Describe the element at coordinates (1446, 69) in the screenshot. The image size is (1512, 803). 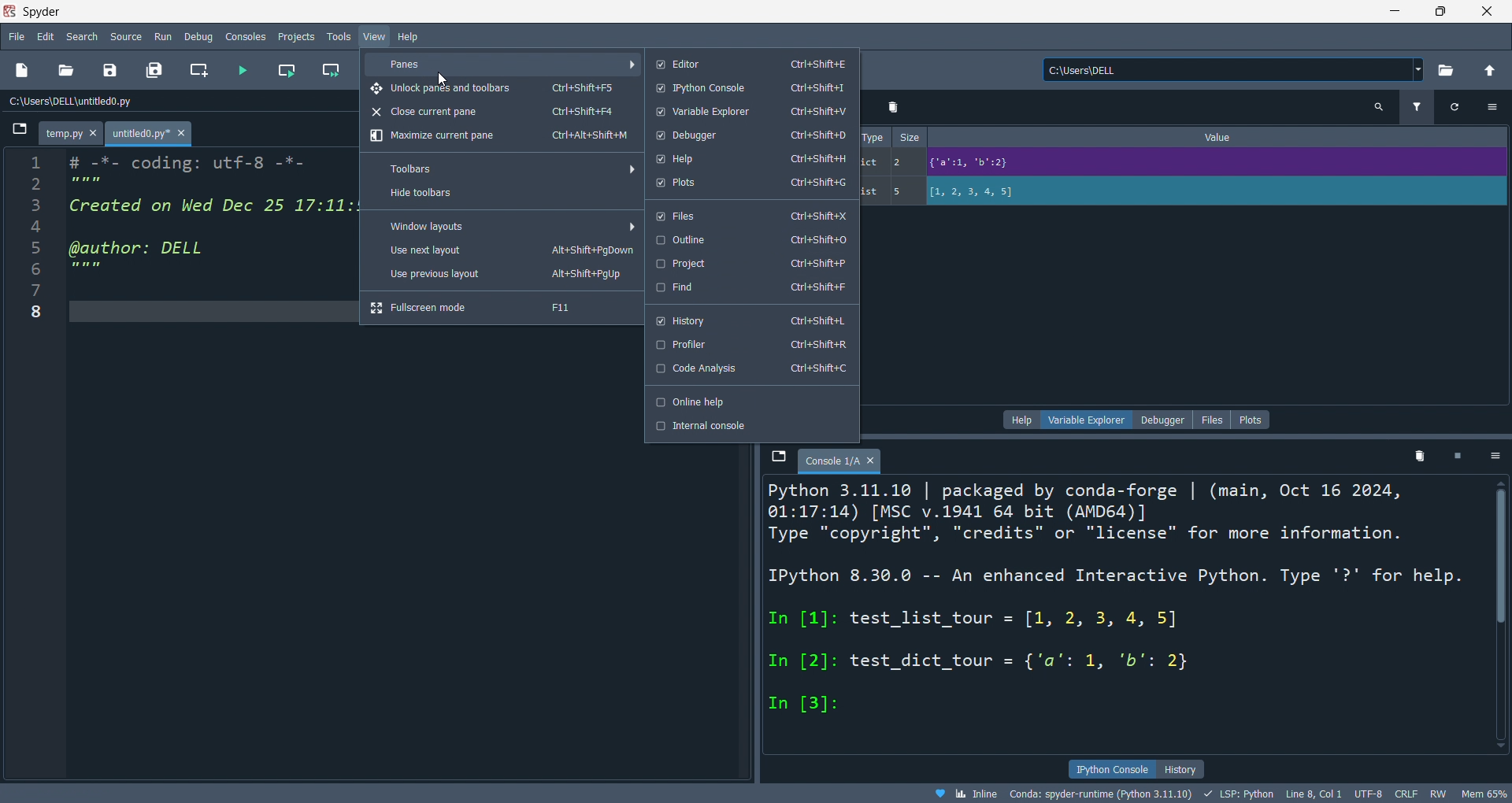
I see `open directory` at that location.